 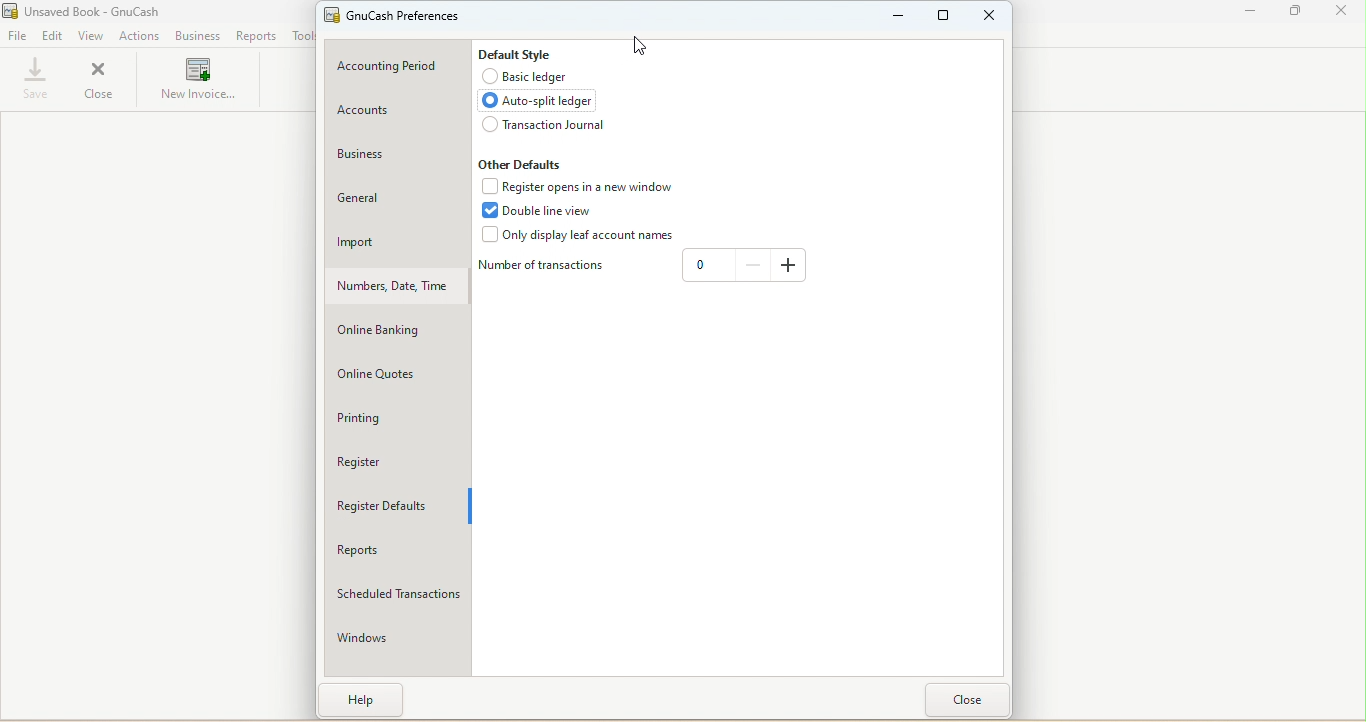 I want to click on Transaction journal, so click(x=540, y=126).